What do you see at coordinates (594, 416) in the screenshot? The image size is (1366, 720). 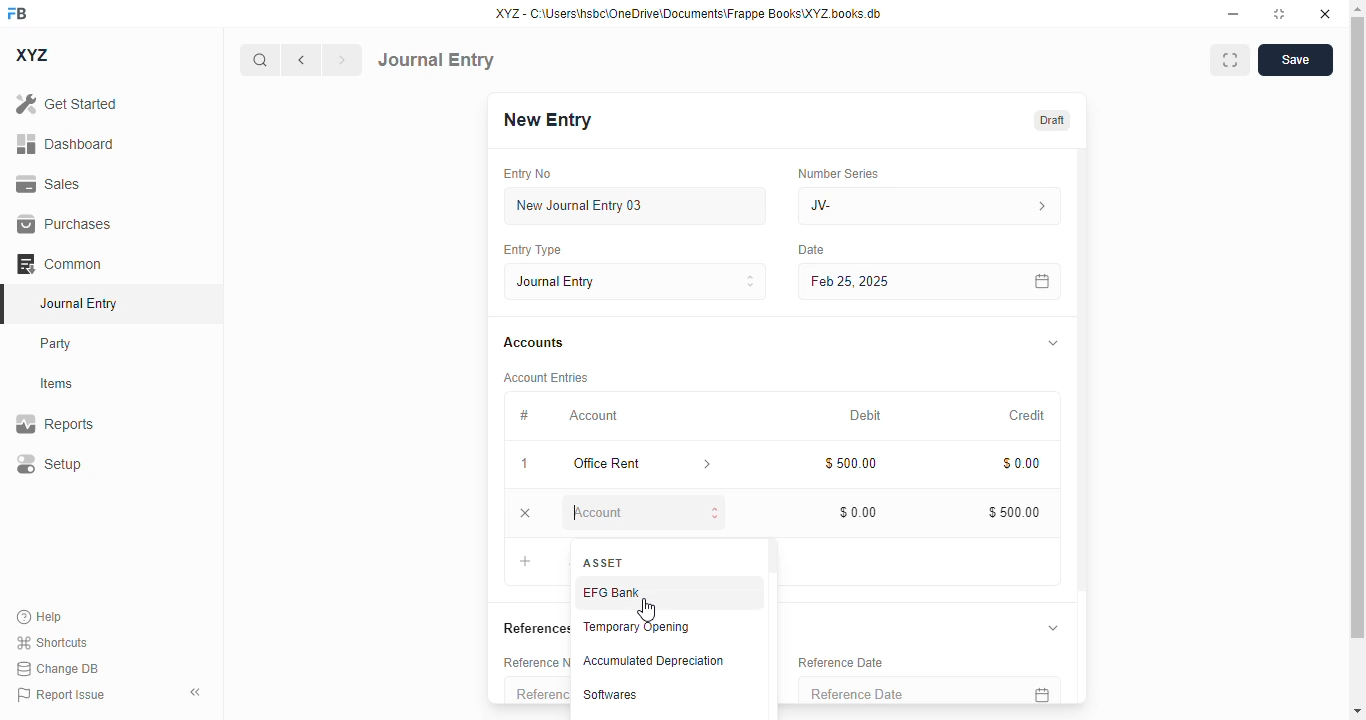 I see `account` at bounding box center [594, 416].